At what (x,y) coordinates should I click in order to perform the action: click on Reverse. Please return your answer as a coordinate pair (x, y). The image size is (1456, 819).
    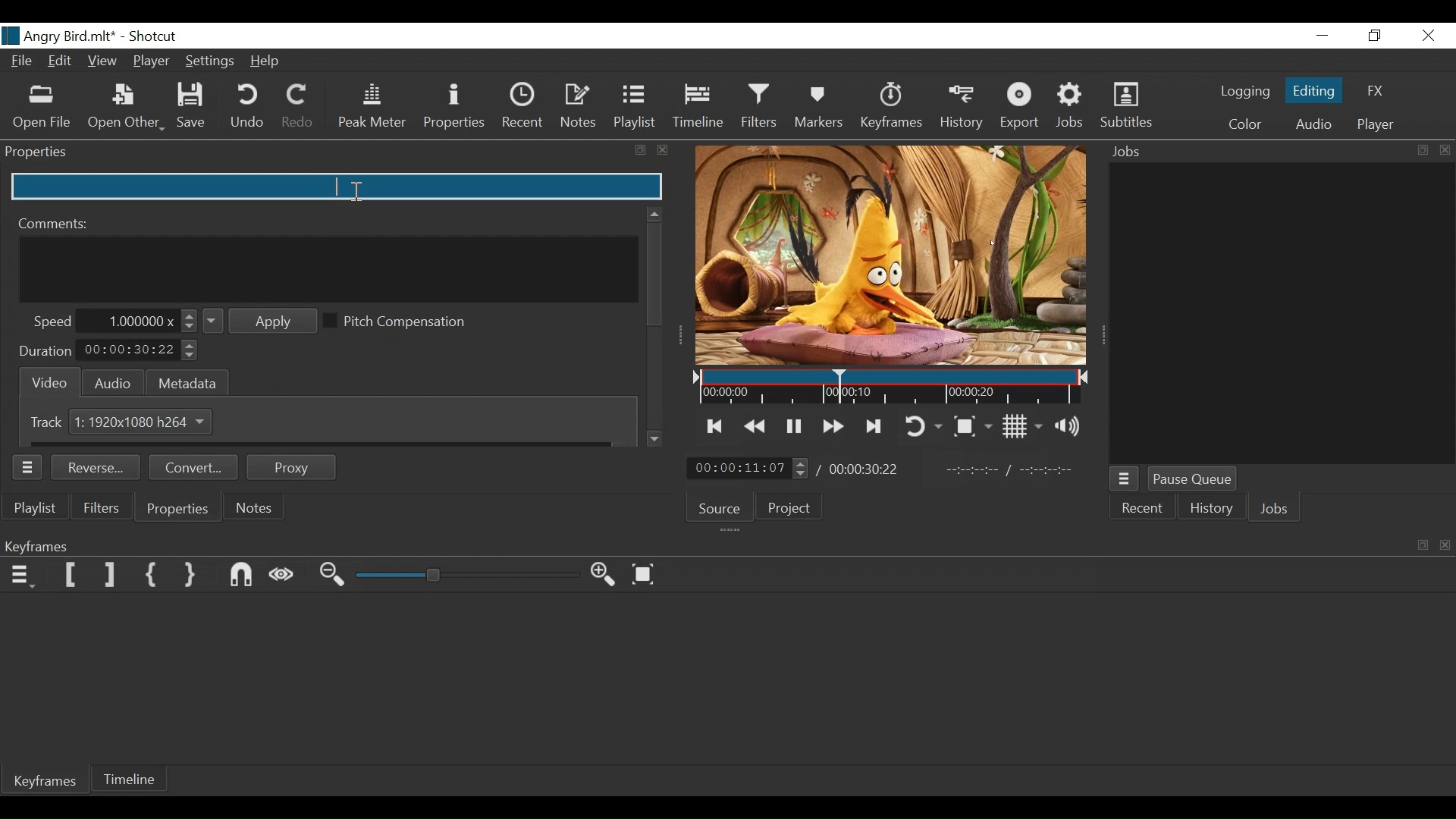
    Looking at the image, I should click on (99, 469).